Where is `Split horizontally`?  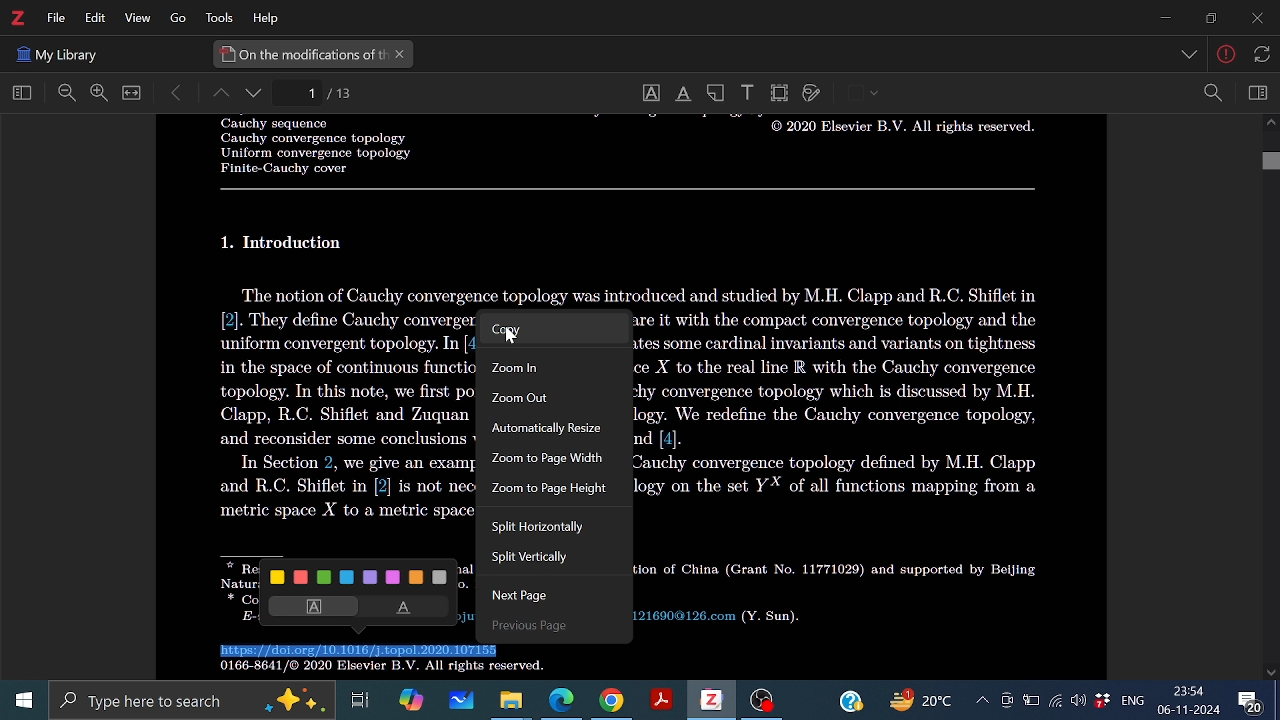
Split horizontally is located at coordinates (543, 529).